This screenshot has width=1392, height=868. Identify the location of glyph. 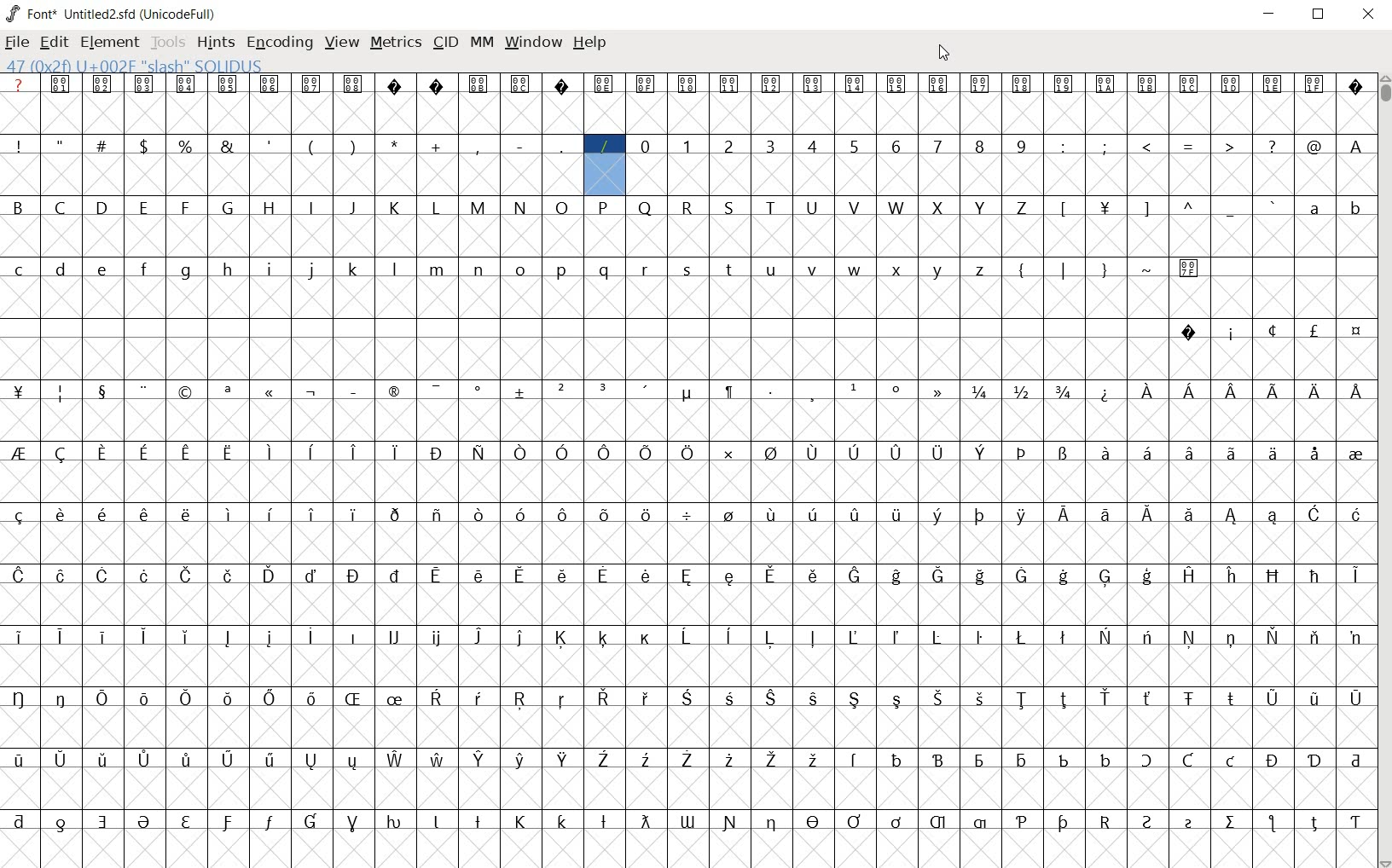
(769, 146).